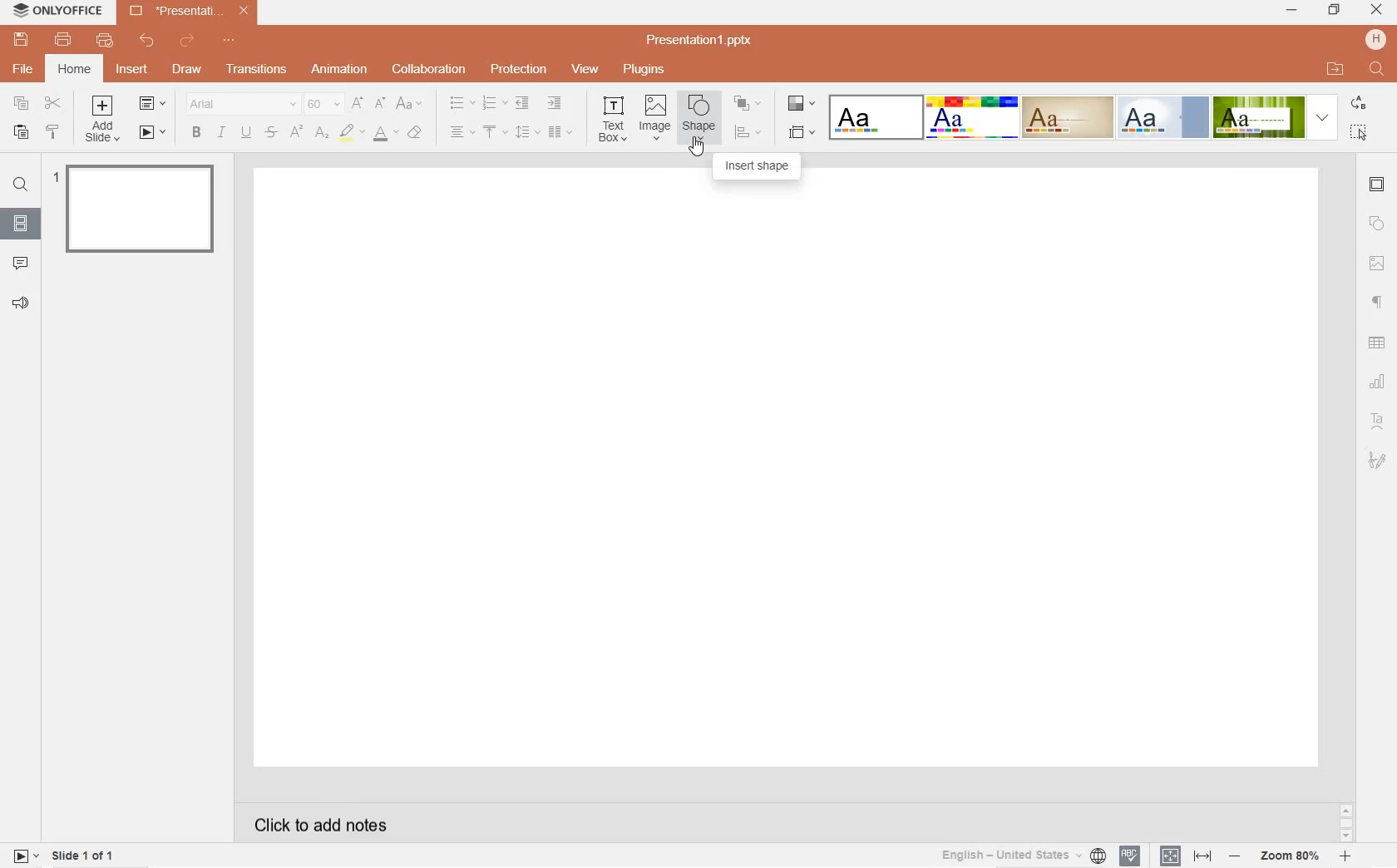  I want to click on slide settings, so click(1378, 186).